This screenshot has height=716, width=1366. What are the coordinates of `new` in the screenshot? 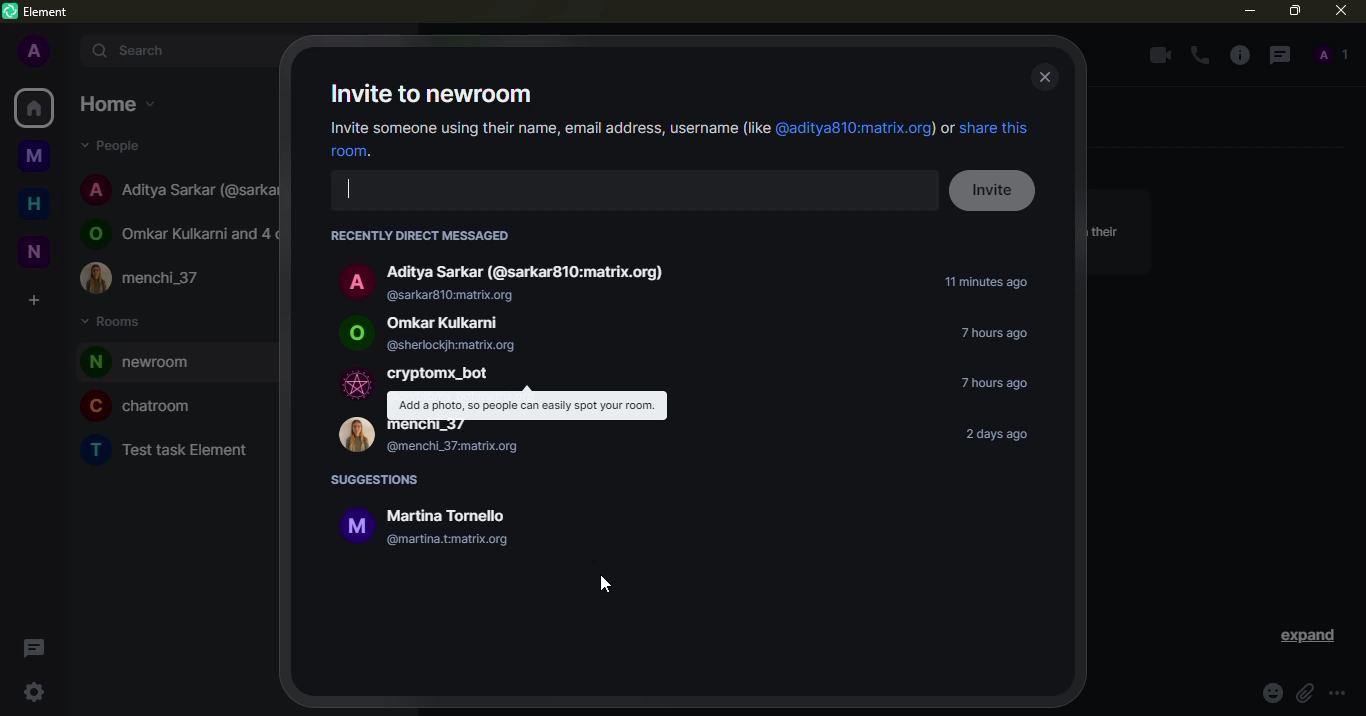 It's located at (35, 251).